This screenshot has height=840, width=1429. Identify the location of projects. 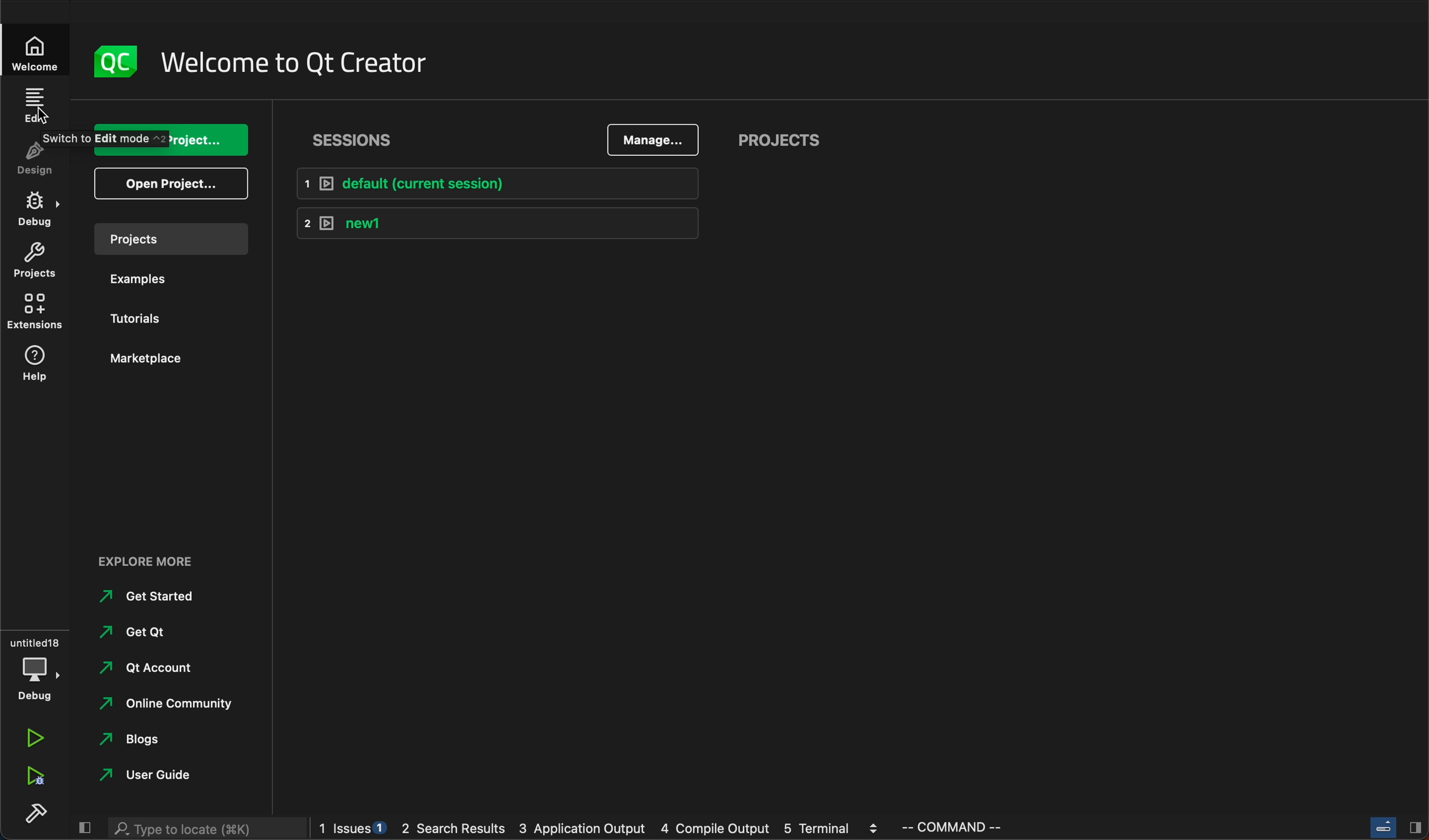
(167, 239).